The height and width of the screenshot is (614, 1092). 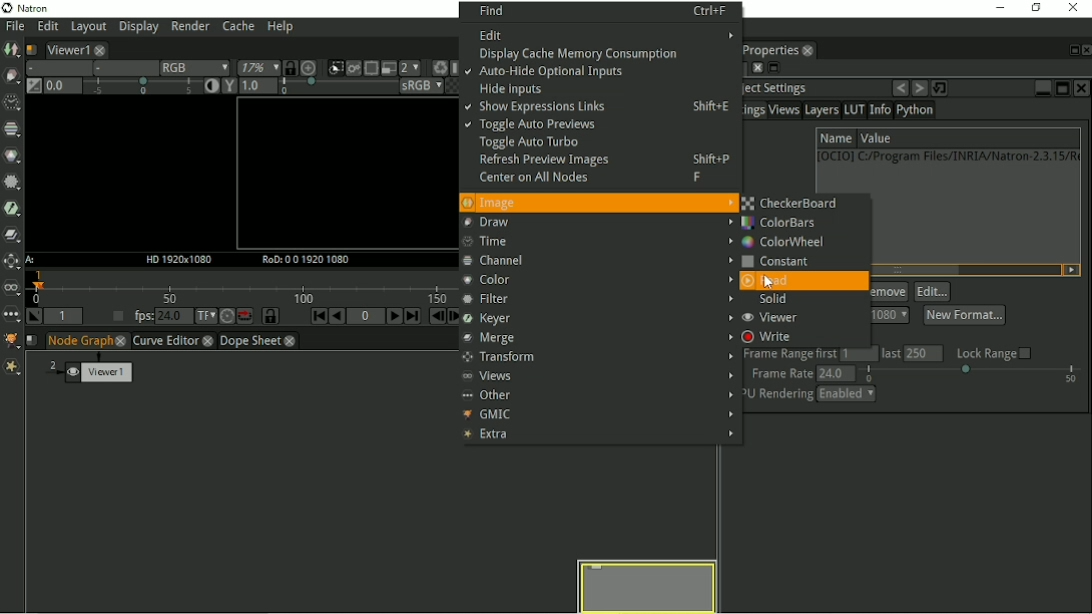 What do you see at coordinates (439, 67) in the screenshot?
I see `Force a new render` at bounding box center [439, 67].